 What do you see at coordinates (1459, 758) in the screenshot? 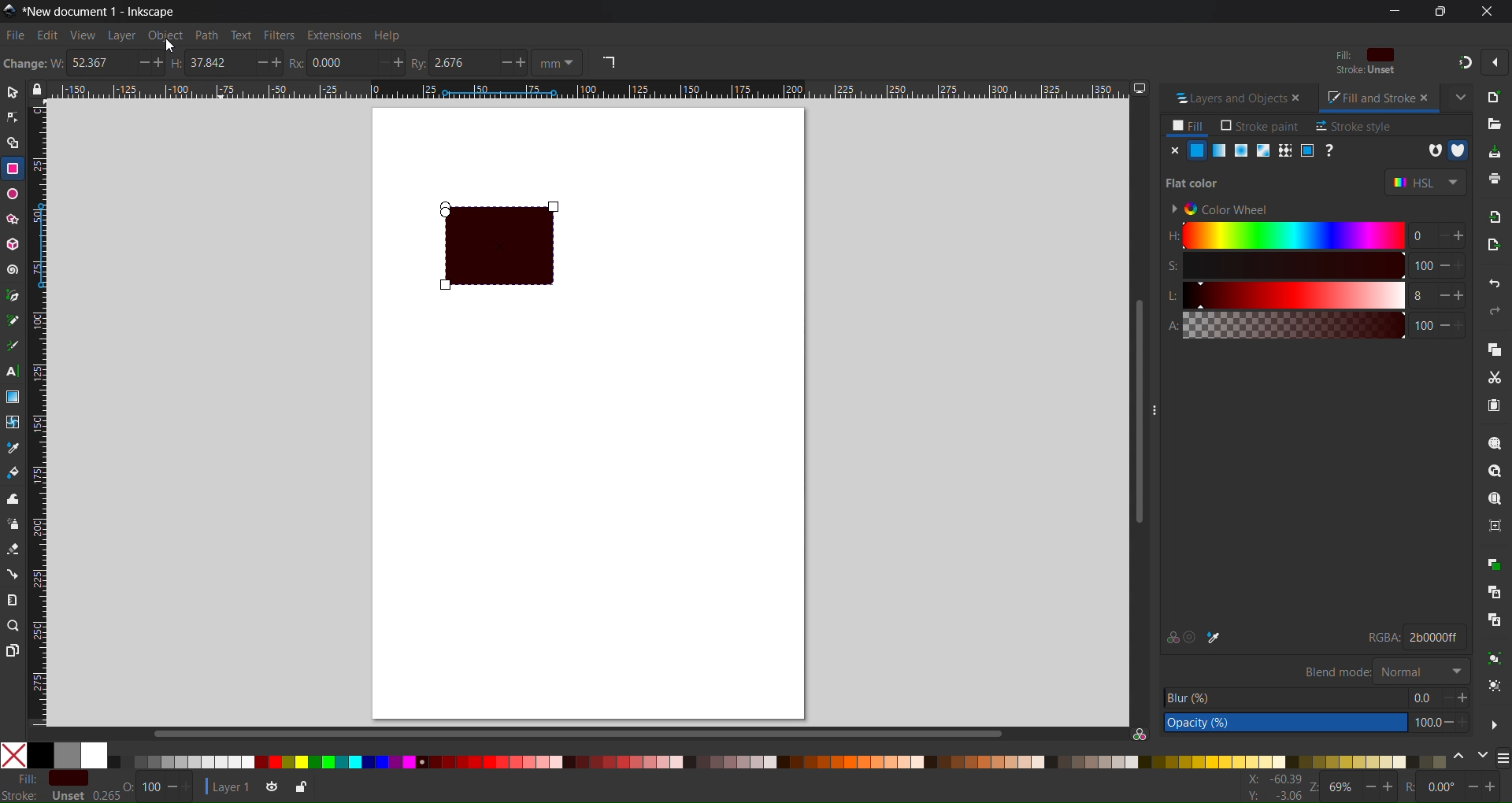
I see `Change color bar` at bounding box center [1459, 758].